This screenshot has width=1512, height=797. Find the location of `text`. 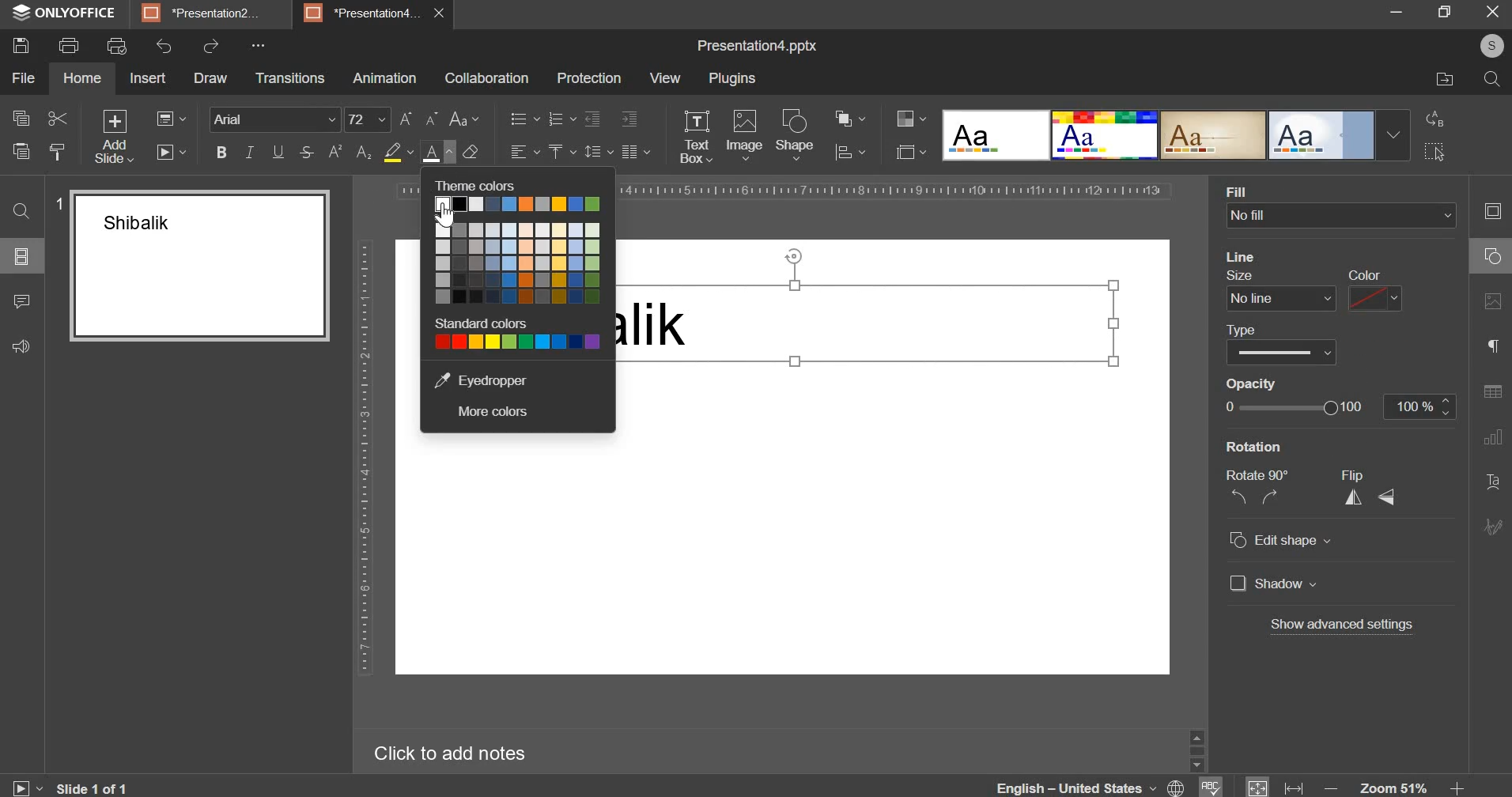

text is located at coordinates (1493, 483).